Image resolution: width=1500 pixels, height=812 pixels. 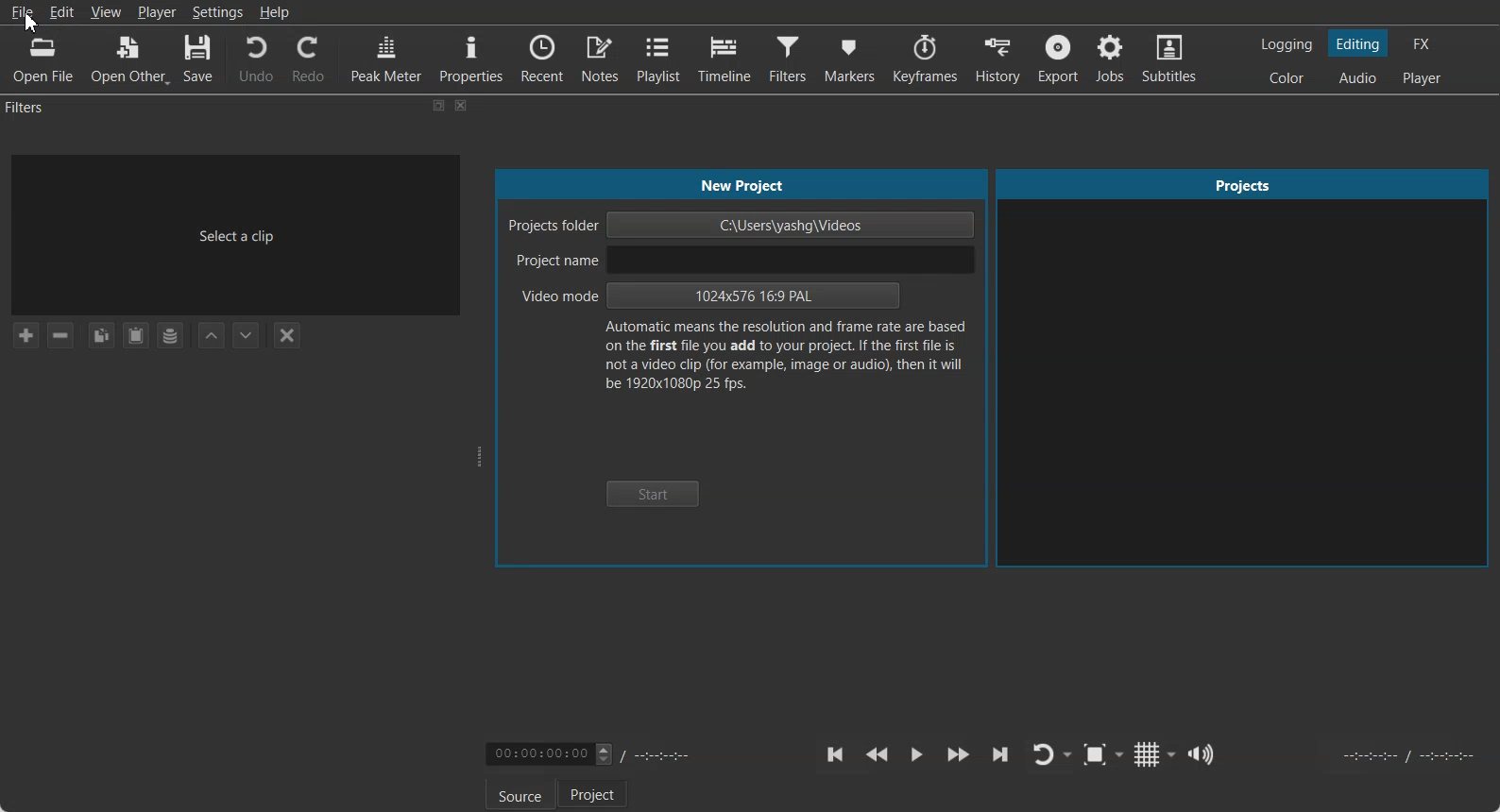 What do you see at coordinates (520, 794) in the screenshot?
I see `Source` at bounding box center [520, 794].